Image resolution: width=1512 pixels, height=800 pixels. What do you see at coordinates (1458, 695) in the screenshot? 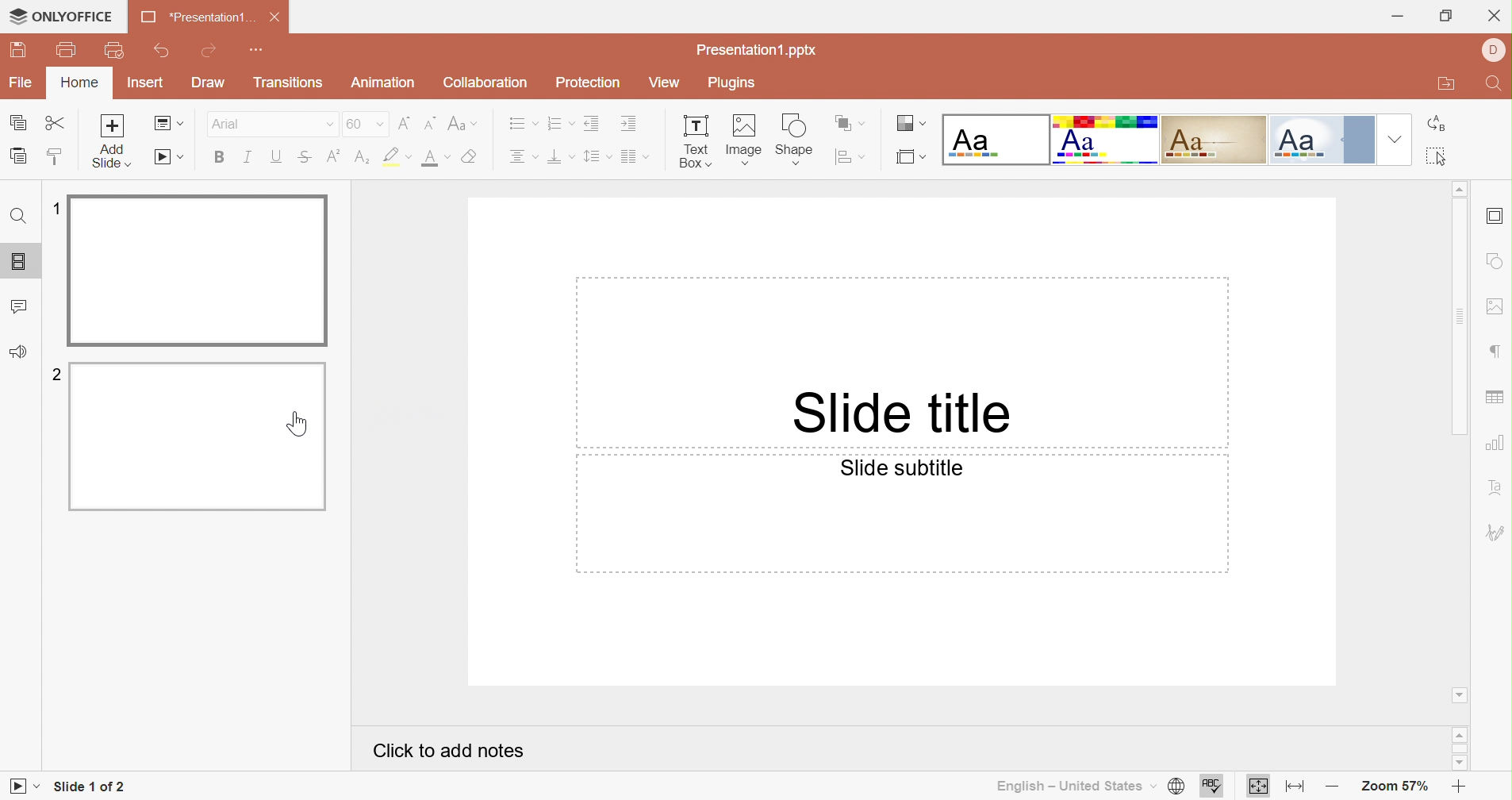
I see `Scroll Down` at bounding box center [1458, 695].